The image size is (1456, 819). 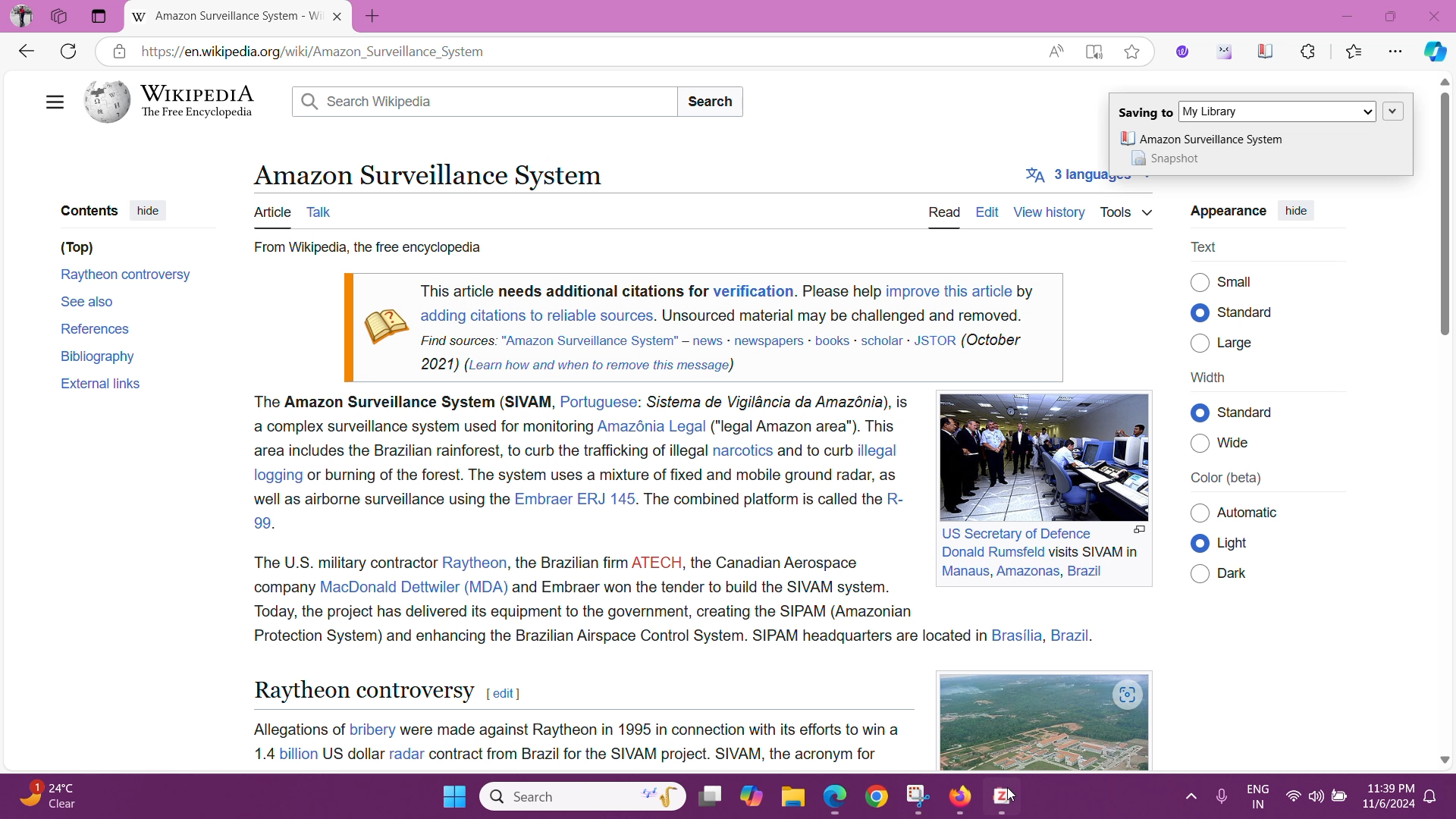 What do you see at coordinates (99, 17) in the screenshot?
I see `tab actions menu` at bounding box center [99, 17].